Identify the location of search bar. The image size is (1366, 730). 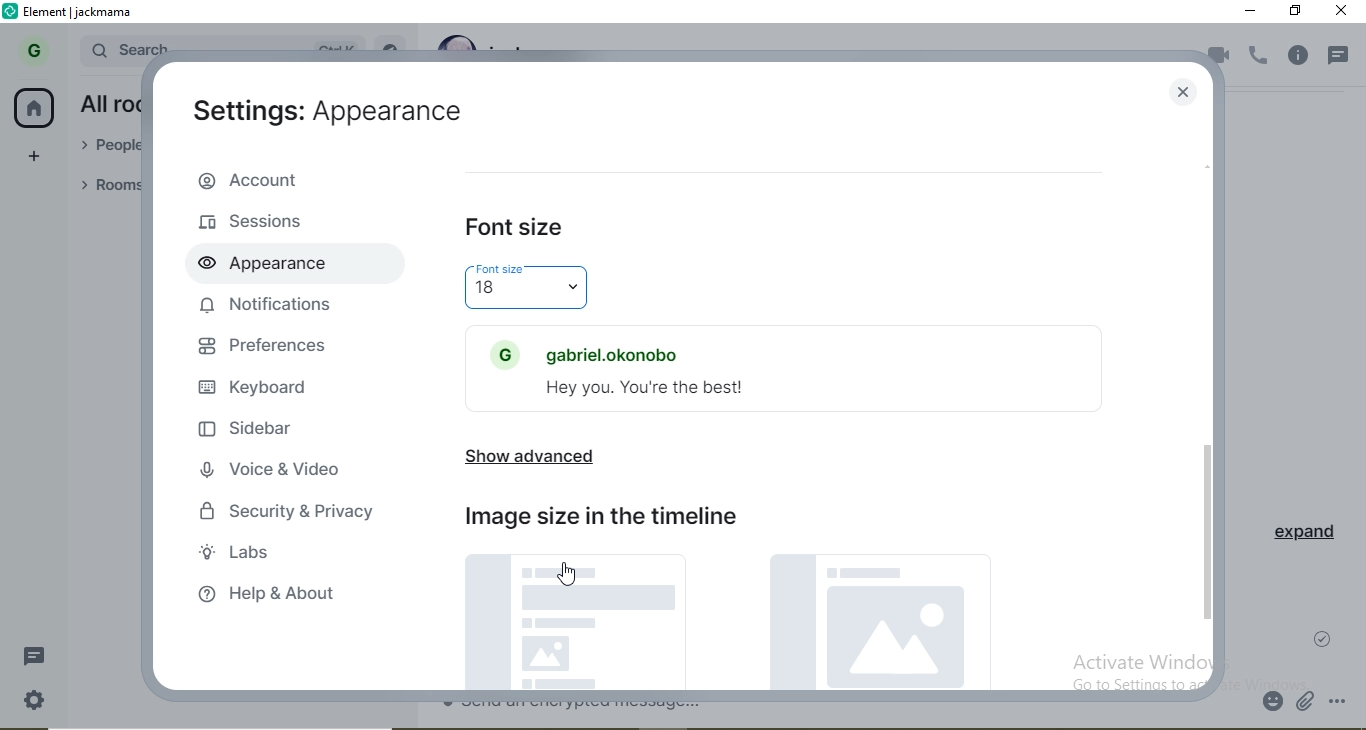
(125, 47).